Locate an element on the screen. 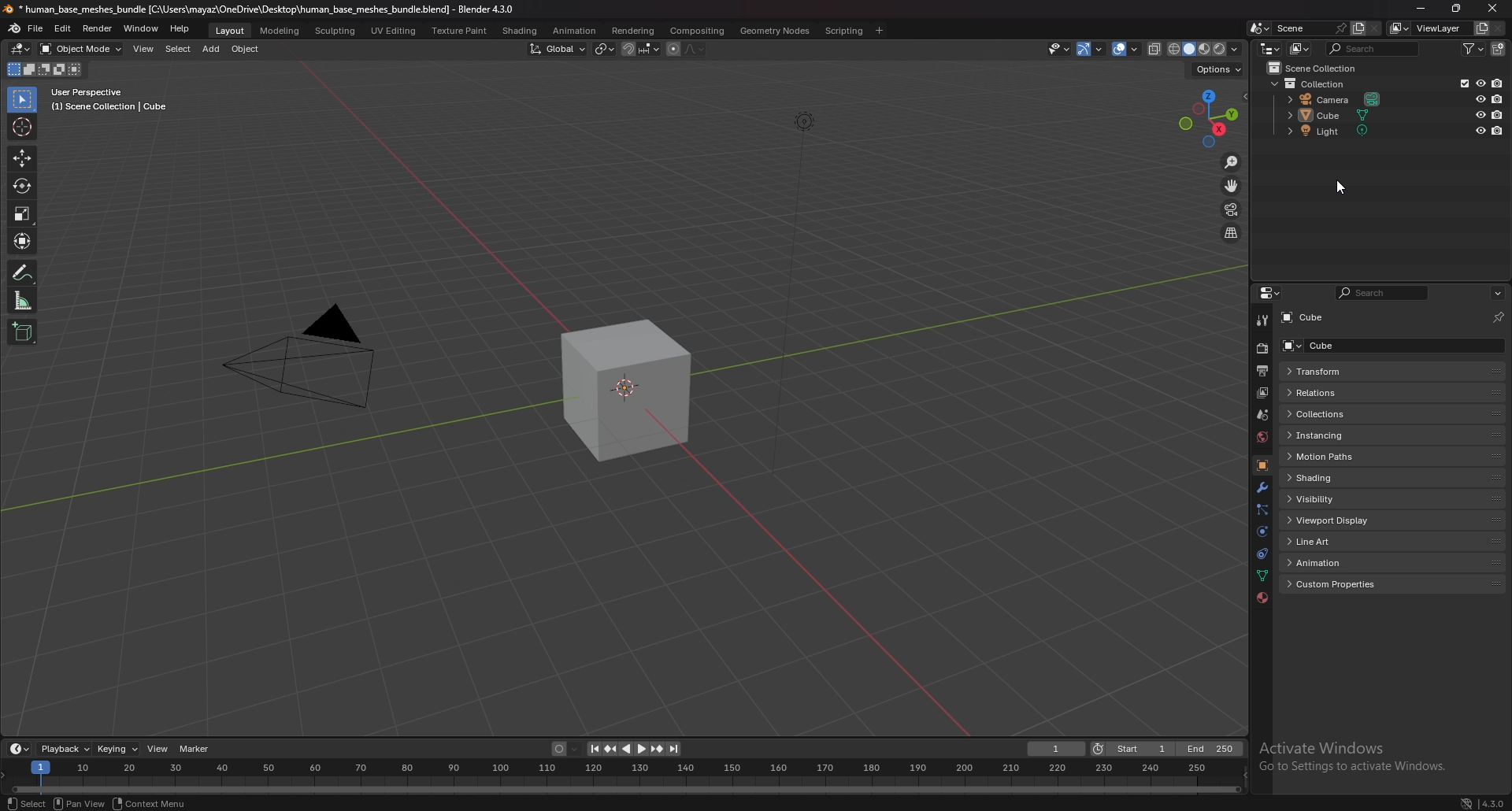 Image resolution: width=1512 pixels, height=811 pixels. editor type is located at coordinates (1270, 48).